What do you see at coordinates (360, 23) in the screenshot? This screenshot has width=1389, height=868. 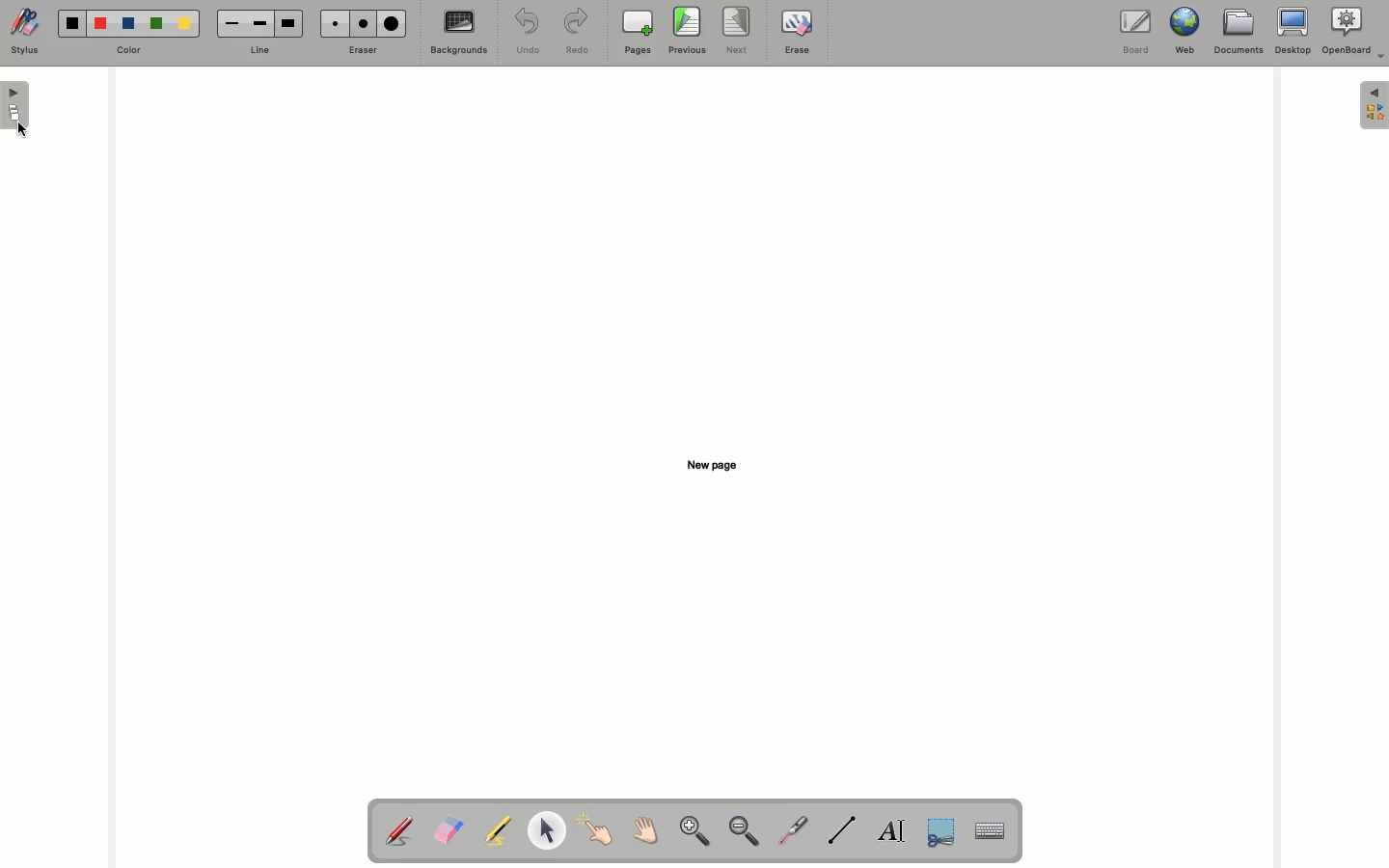 I see `Medium eraser` at bounding box center [360, 23].